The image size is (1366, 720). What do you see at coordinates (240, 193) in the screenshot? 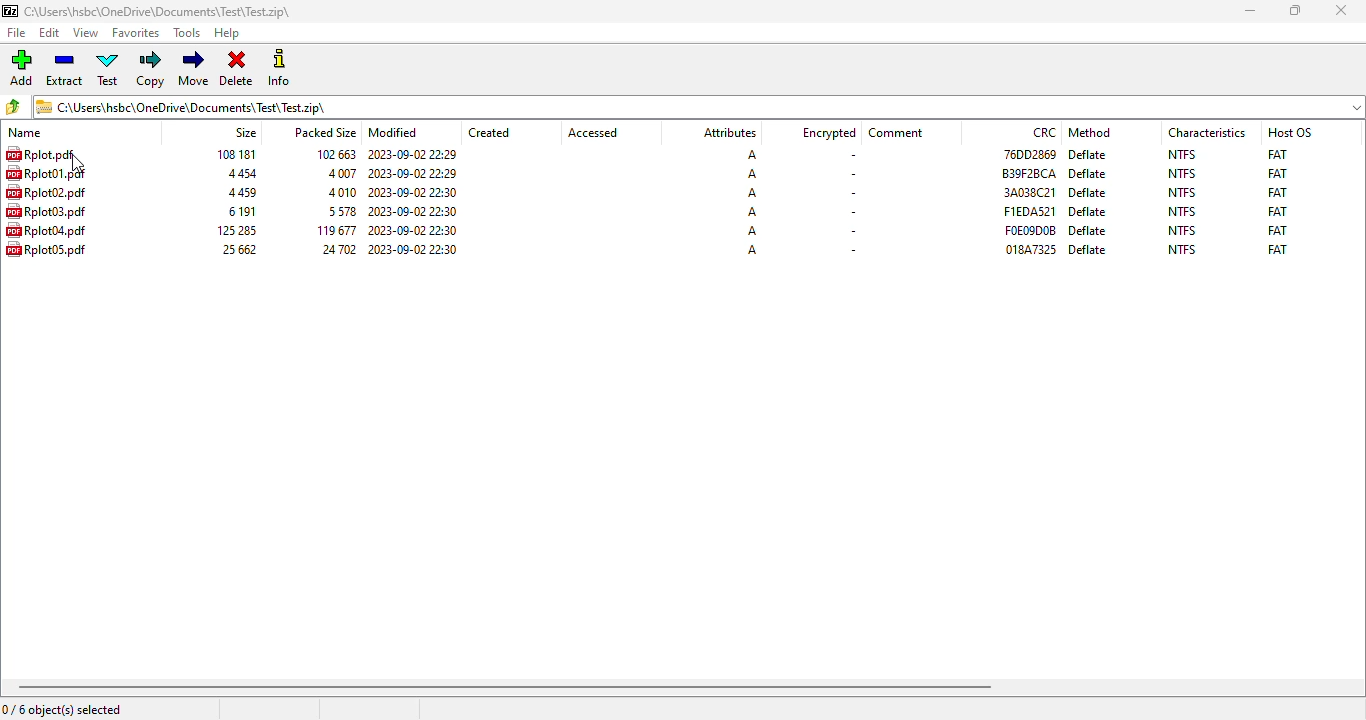
I see `size` at bounding box center [240, 193].